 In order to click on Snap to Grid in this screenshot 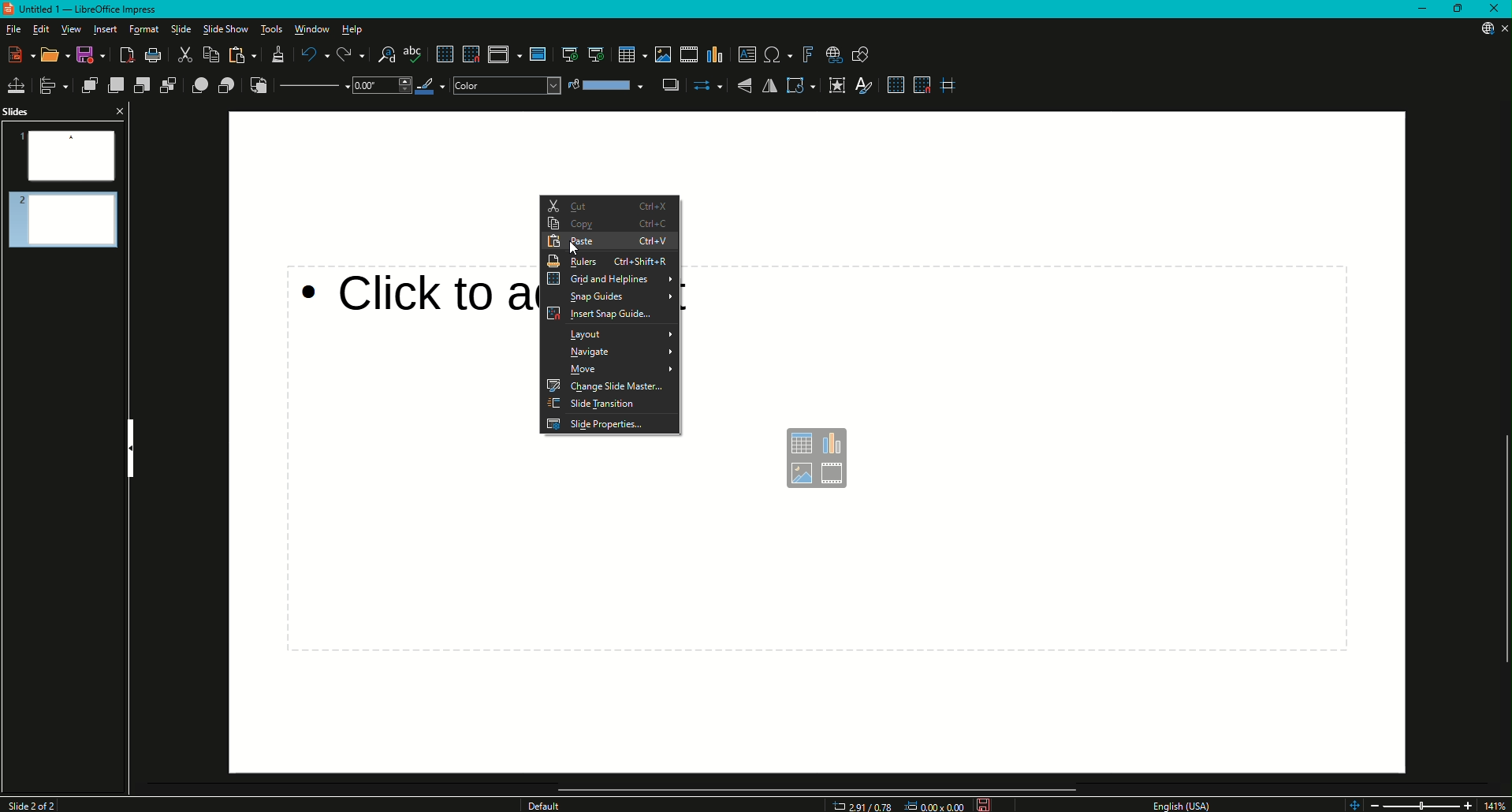, I will do `click(922, 86)`.